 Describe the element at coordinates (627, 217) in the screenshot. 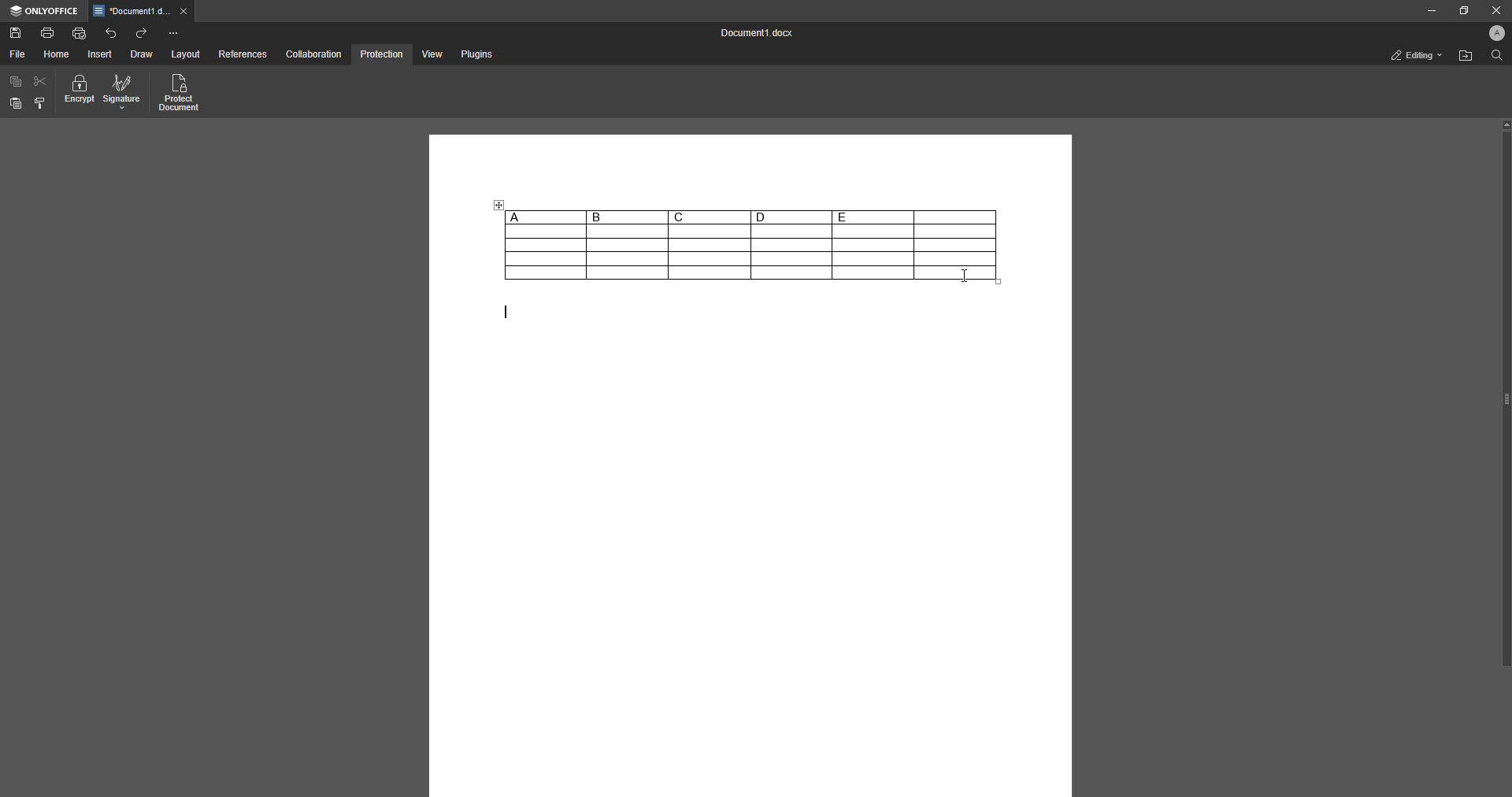

I see `B` at that location.